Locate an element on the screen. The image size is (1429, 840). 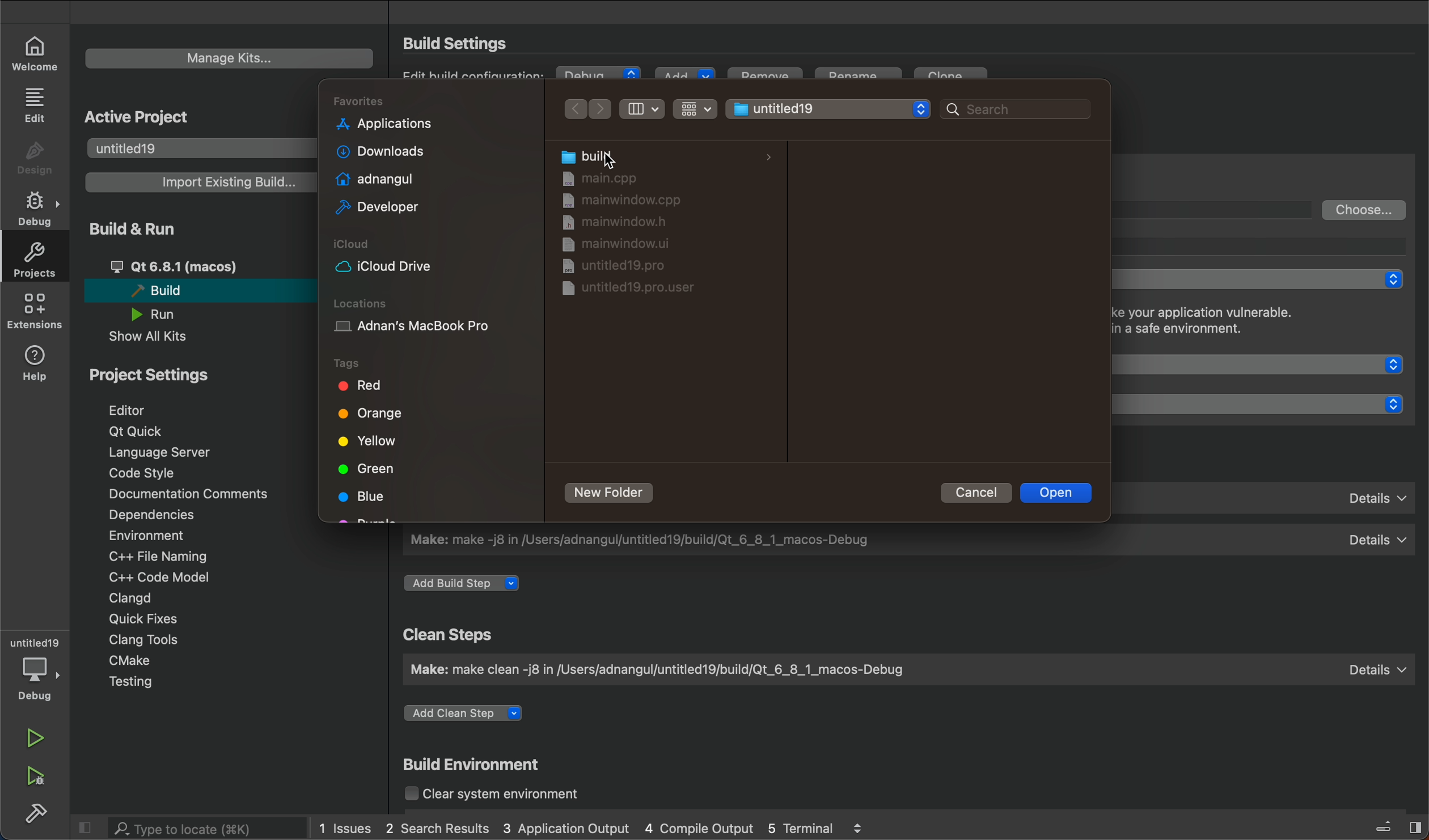
testing is located at coordinates (145, 684).